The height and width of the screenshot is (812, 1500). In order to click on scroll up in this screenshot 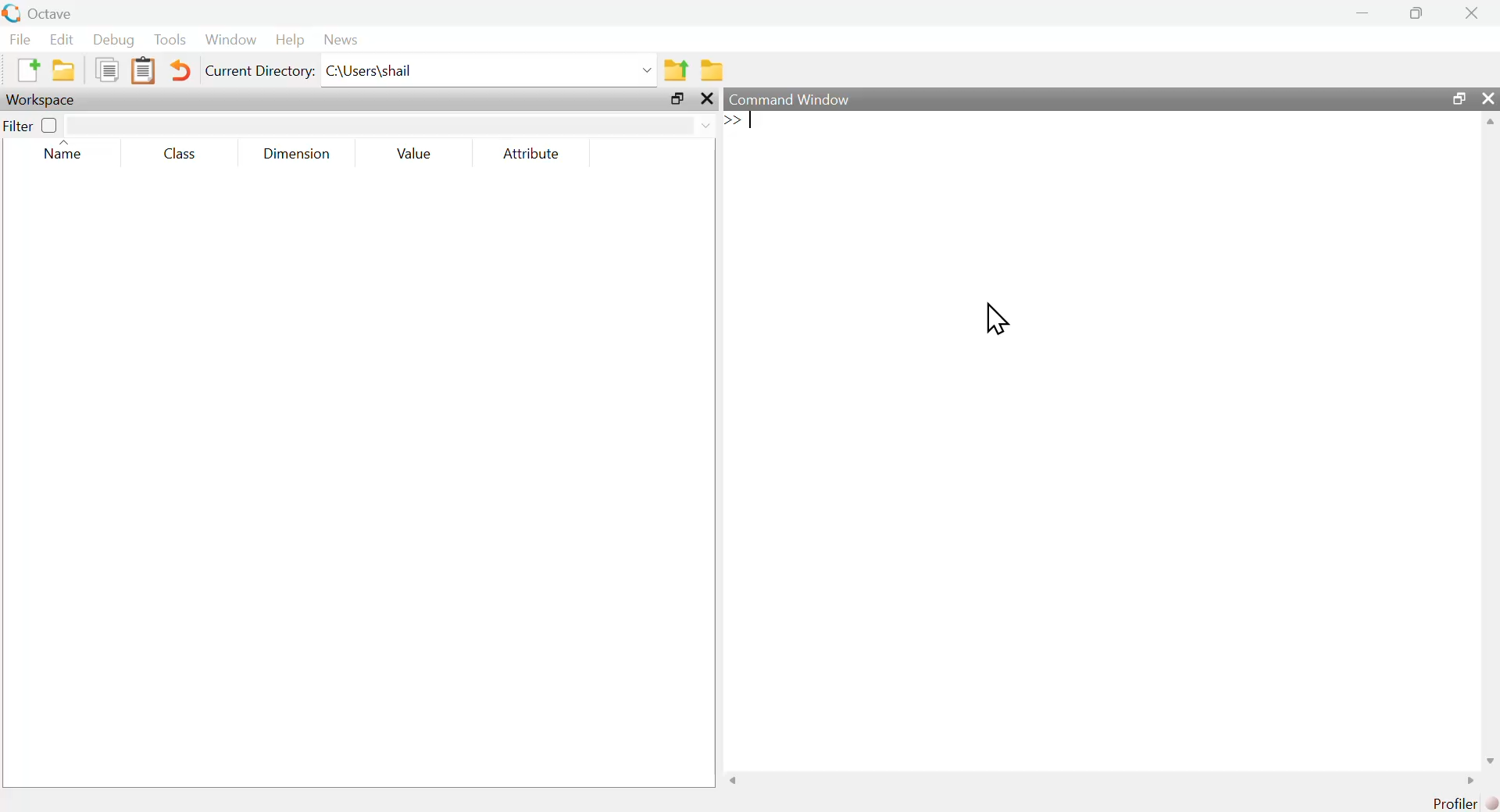, I will do `click(1488, 124)`.